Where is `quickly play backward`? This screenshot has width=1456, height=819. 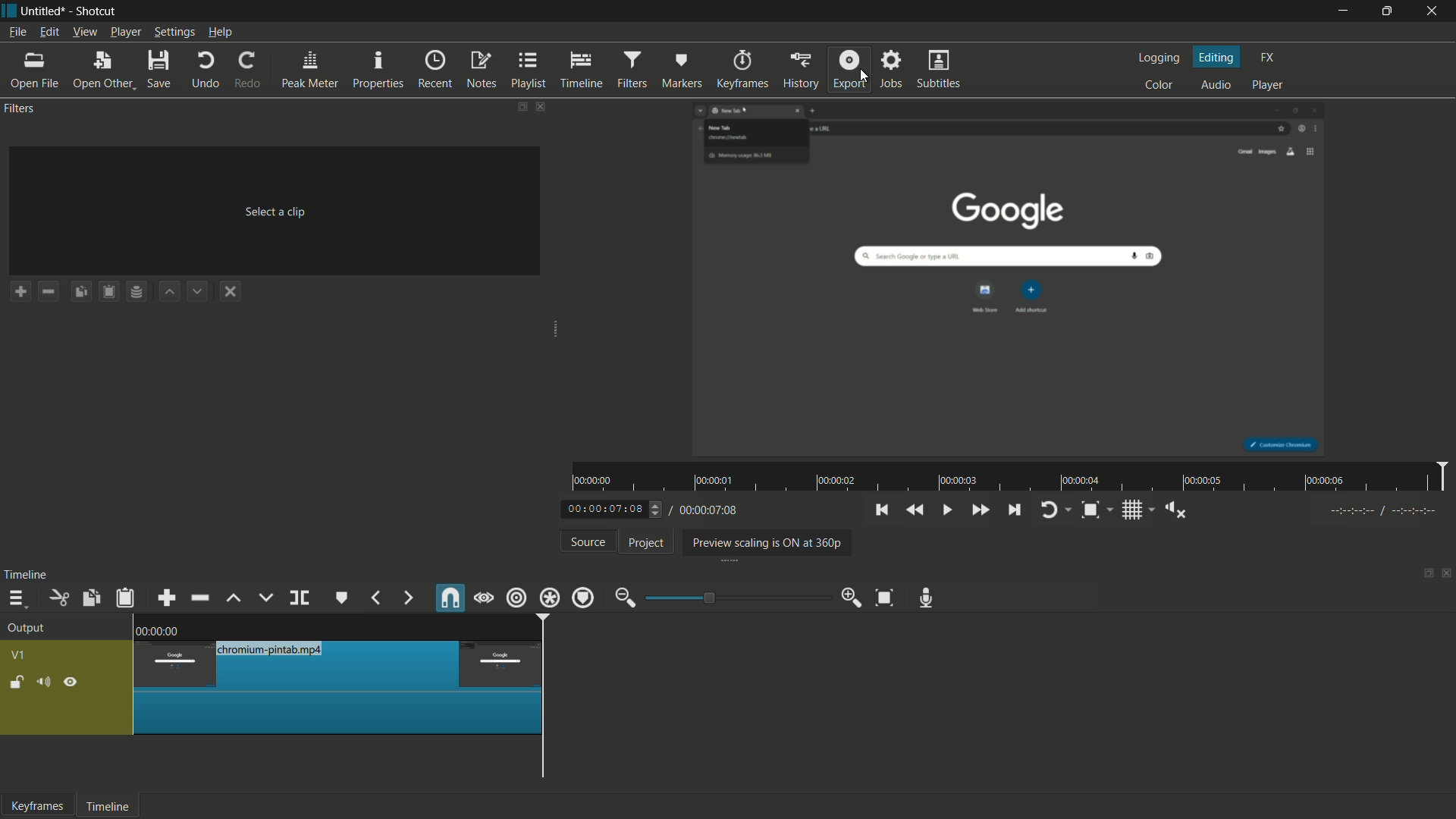
quickly play backward is located at coordinates (914, 509).